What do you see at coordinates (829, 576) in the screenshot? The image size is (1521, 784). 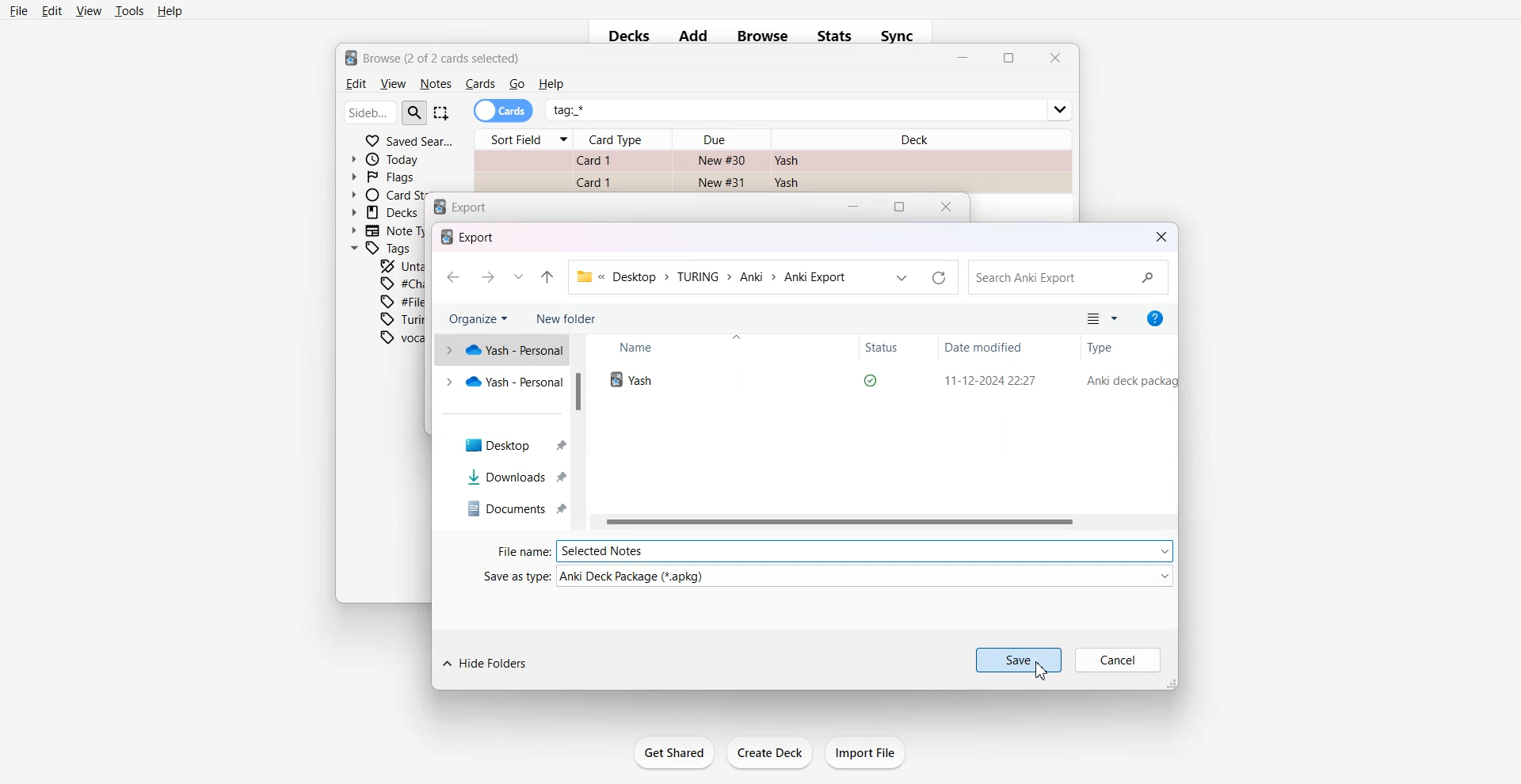 I see `Save as type` at bounding box center [829, 576].